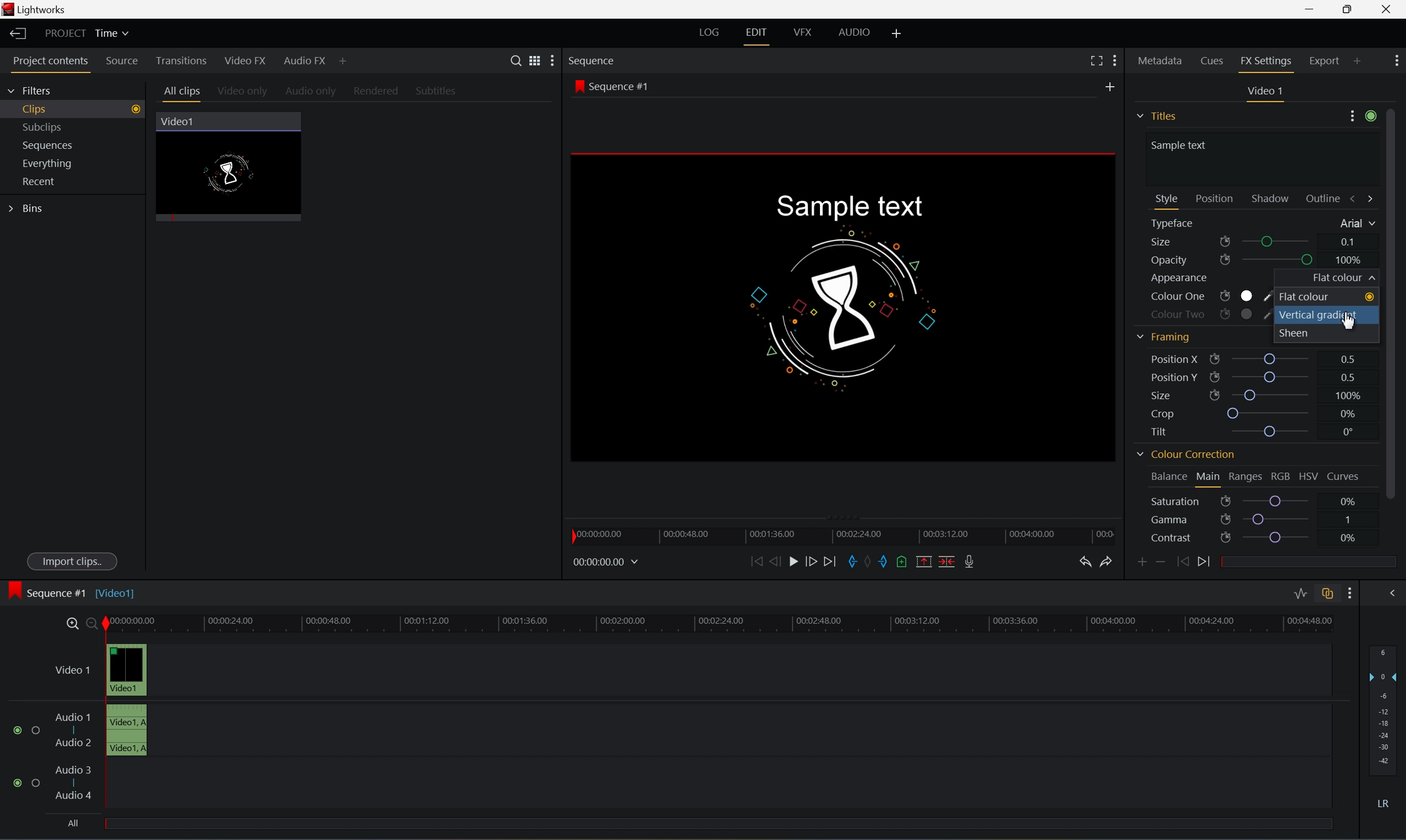 This screenshot has height=840, width=1406. Describe the element at coordinates (1327, 594) in the screenshot. I see `toggle auto track sync` at that location.